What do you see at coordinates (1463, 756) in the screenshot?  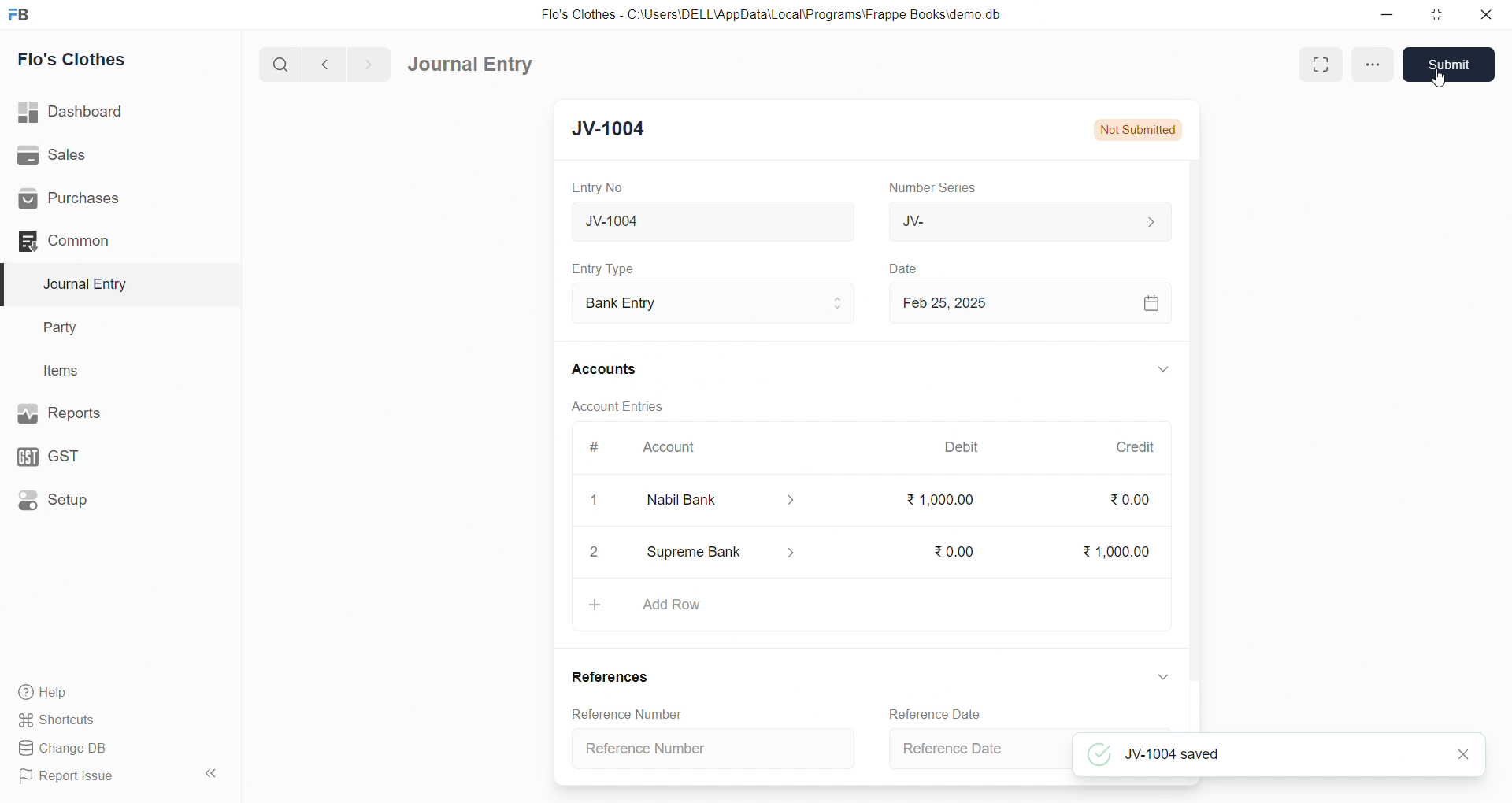 I see `close` at bounding box center [1463, 756].